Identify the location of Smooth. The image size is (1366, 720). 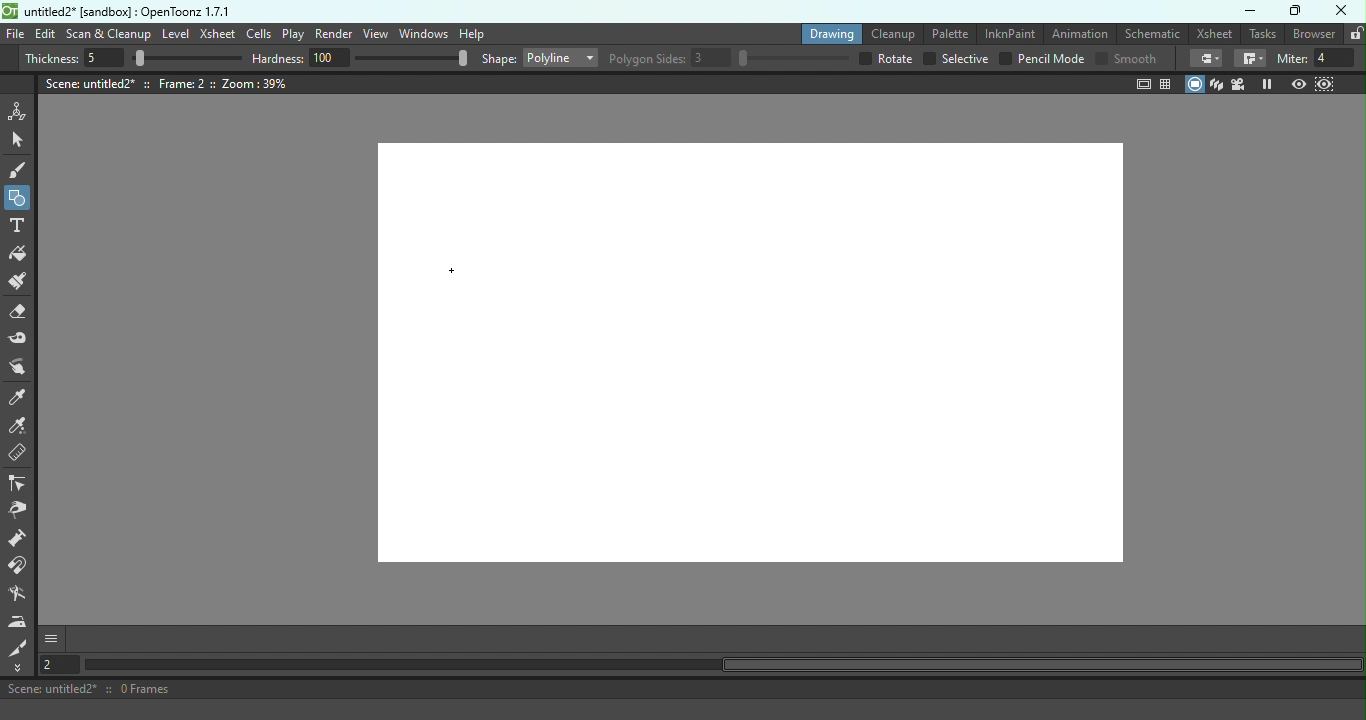
(1128, 59).